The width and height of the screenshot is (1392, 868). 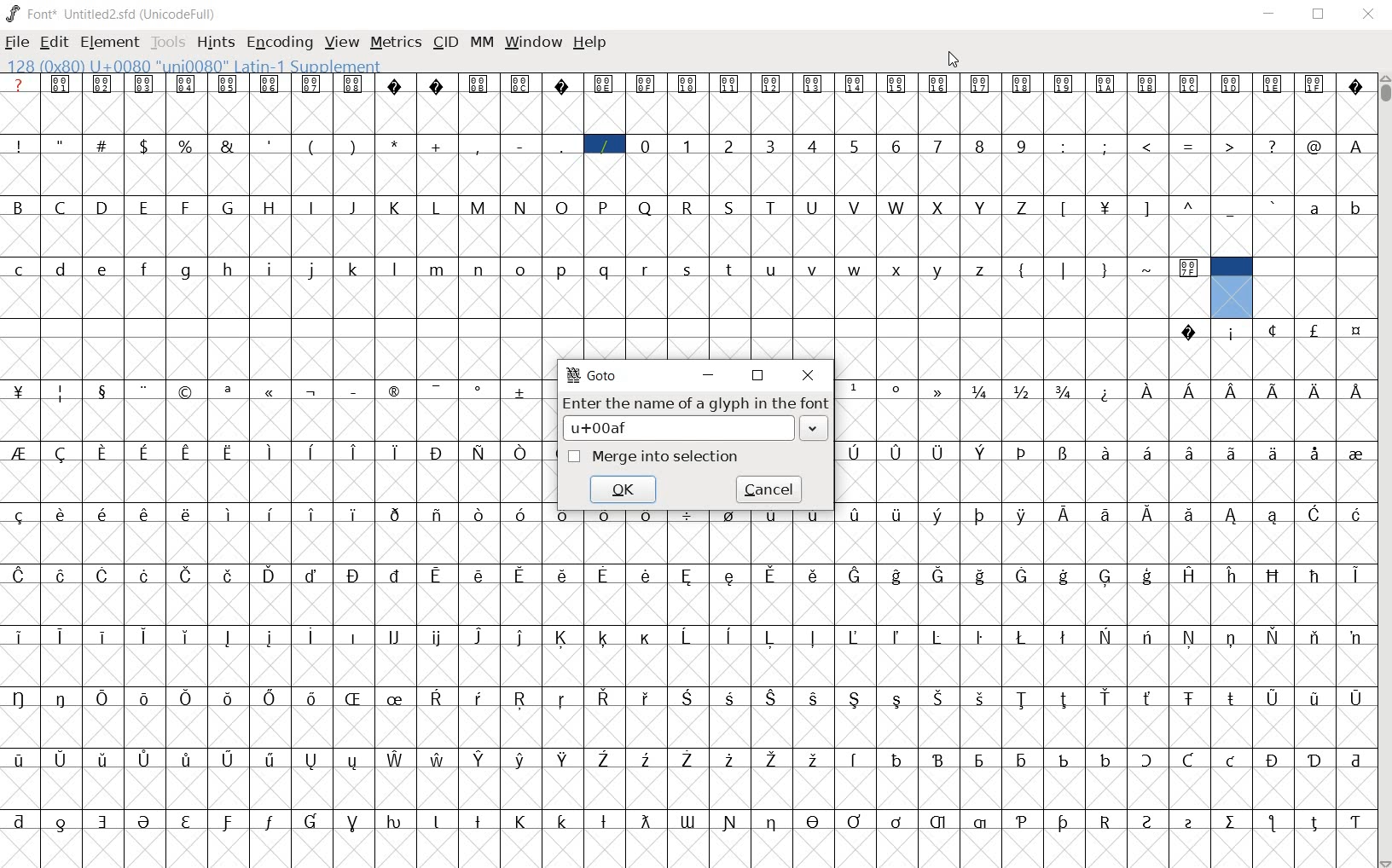 What do you see at coordinates (230, 208) in the screenshot?
I see `G` at bounding box center [230, 208].